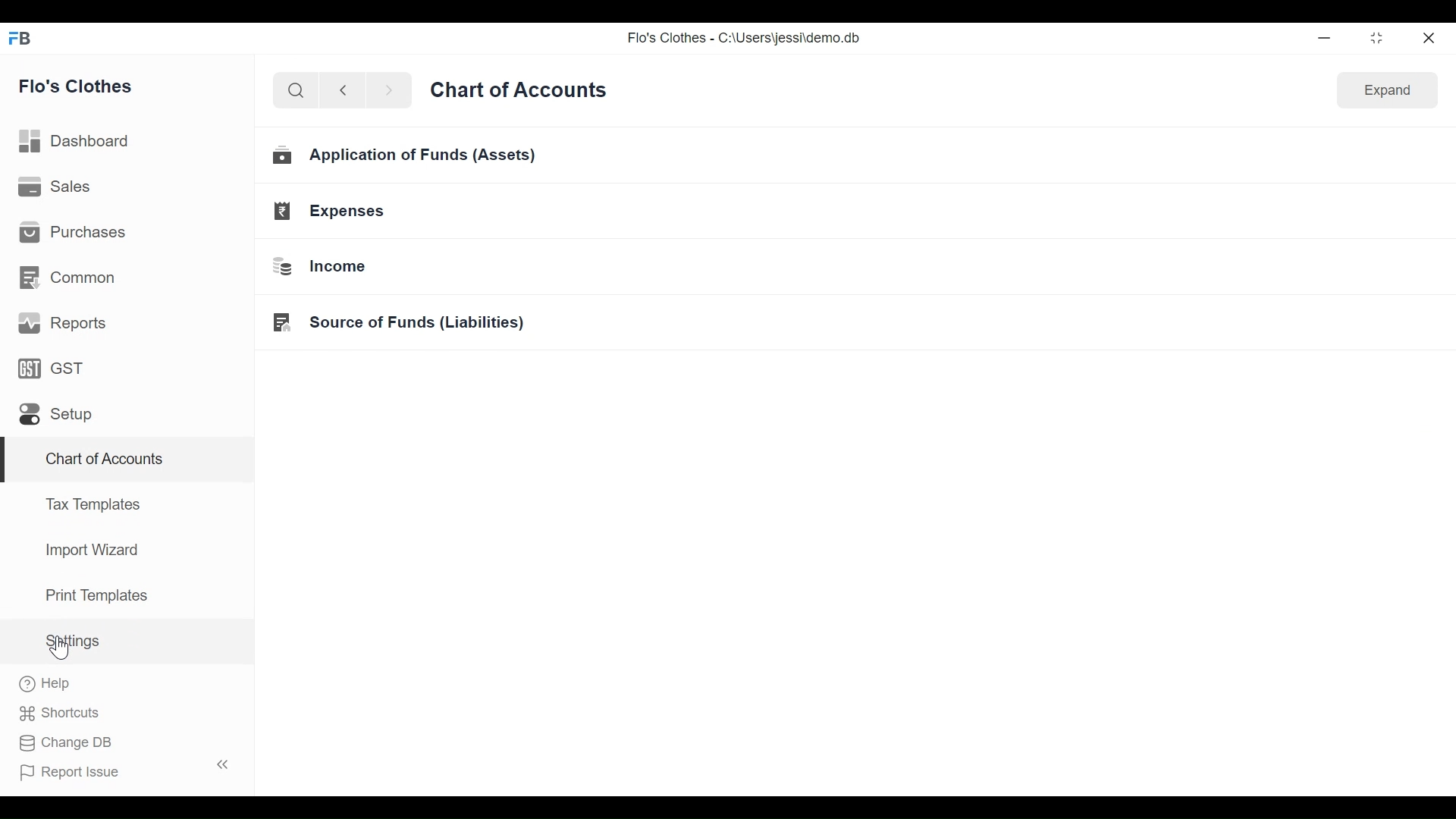 The width and height of the screenshot is (1456, 819). I want to click on Shortcuts, so click(66, 714).